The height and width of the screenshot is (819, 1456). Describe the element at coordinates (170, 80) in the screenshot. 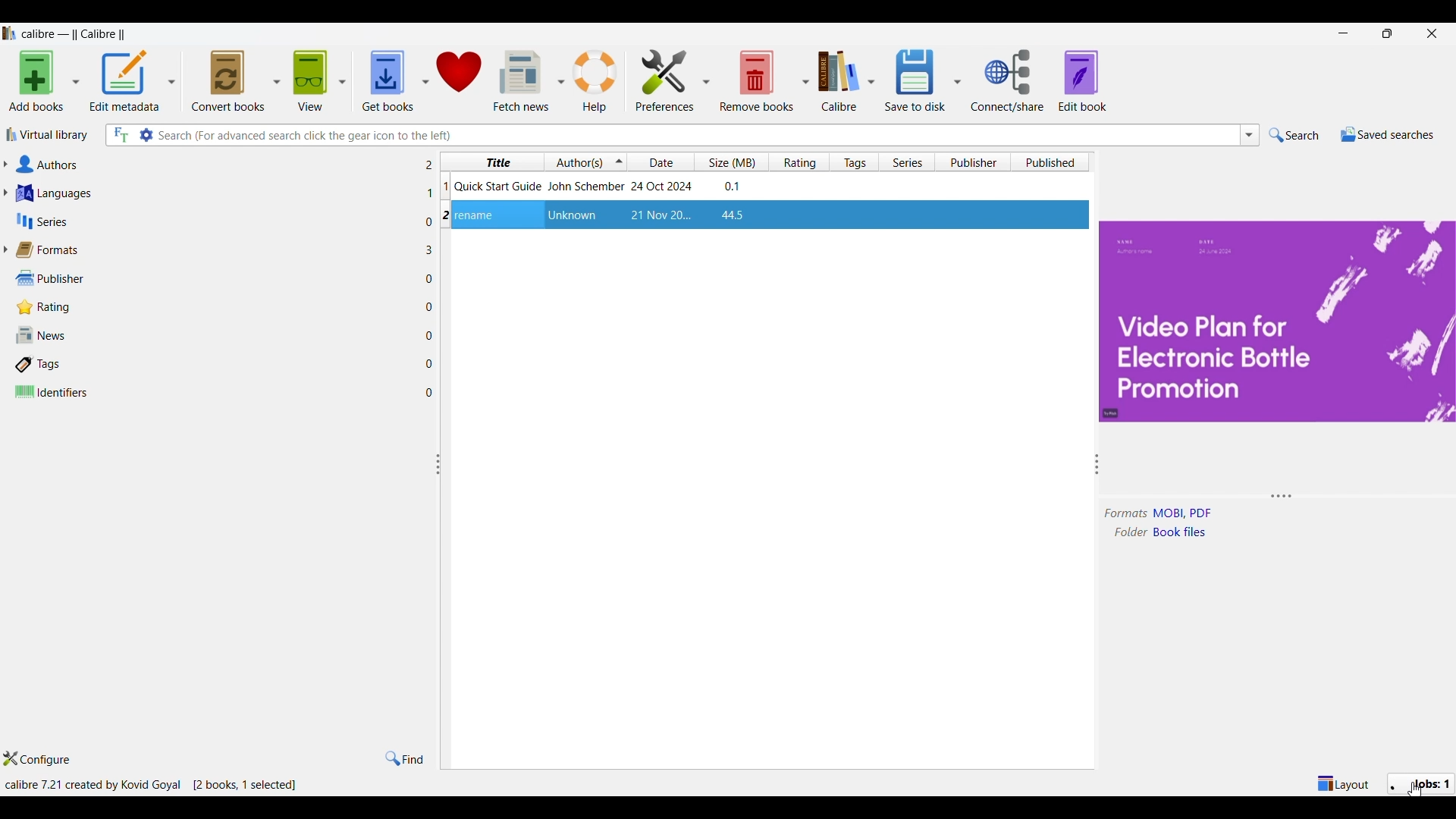

I see `` at that location.